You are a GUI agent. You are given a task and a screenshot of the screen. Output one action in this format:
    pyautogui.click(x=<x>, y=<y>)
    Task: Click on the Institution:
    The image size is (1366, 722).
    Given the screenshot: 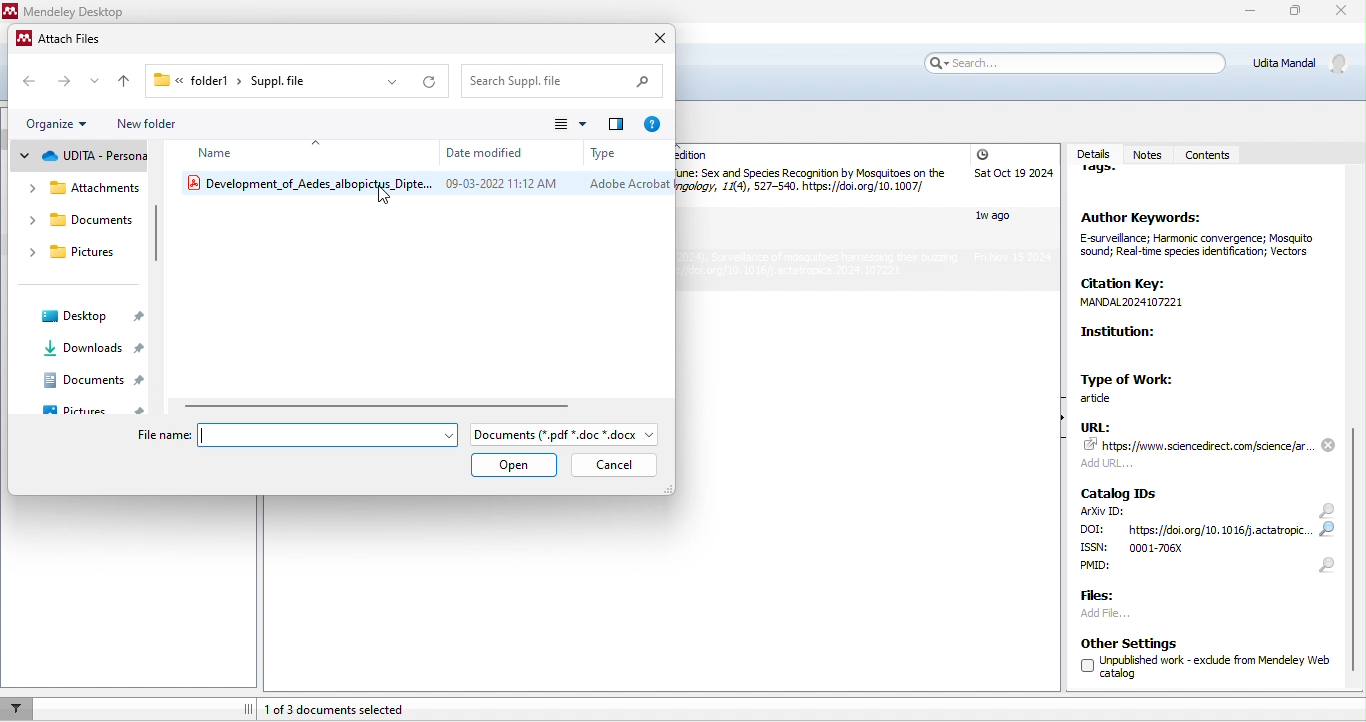 What is the action you would take?
    pyautogui.click(x=1168, y=345)
    